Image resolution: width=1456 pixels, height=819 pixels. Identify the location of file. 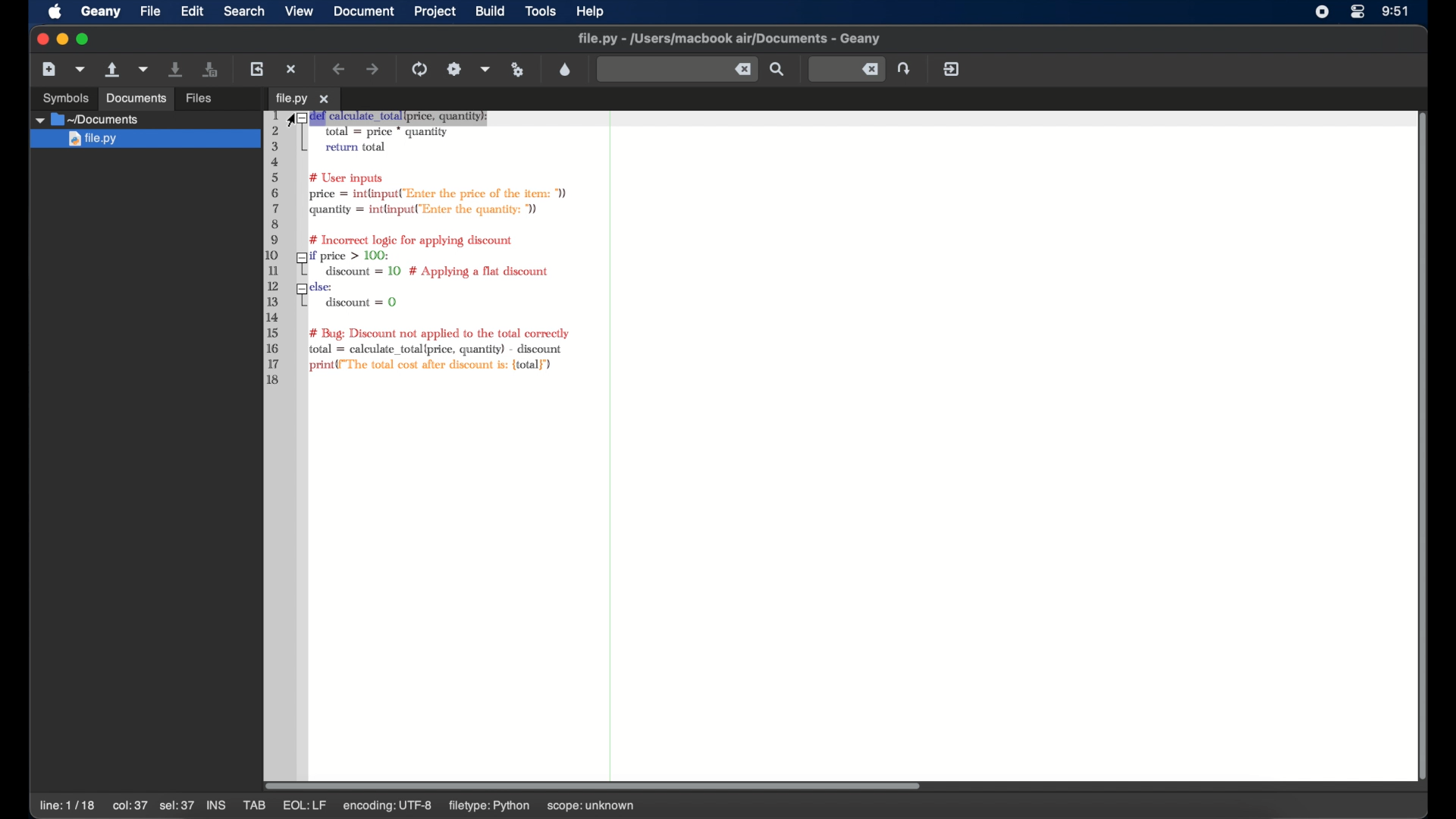
(149, 12).